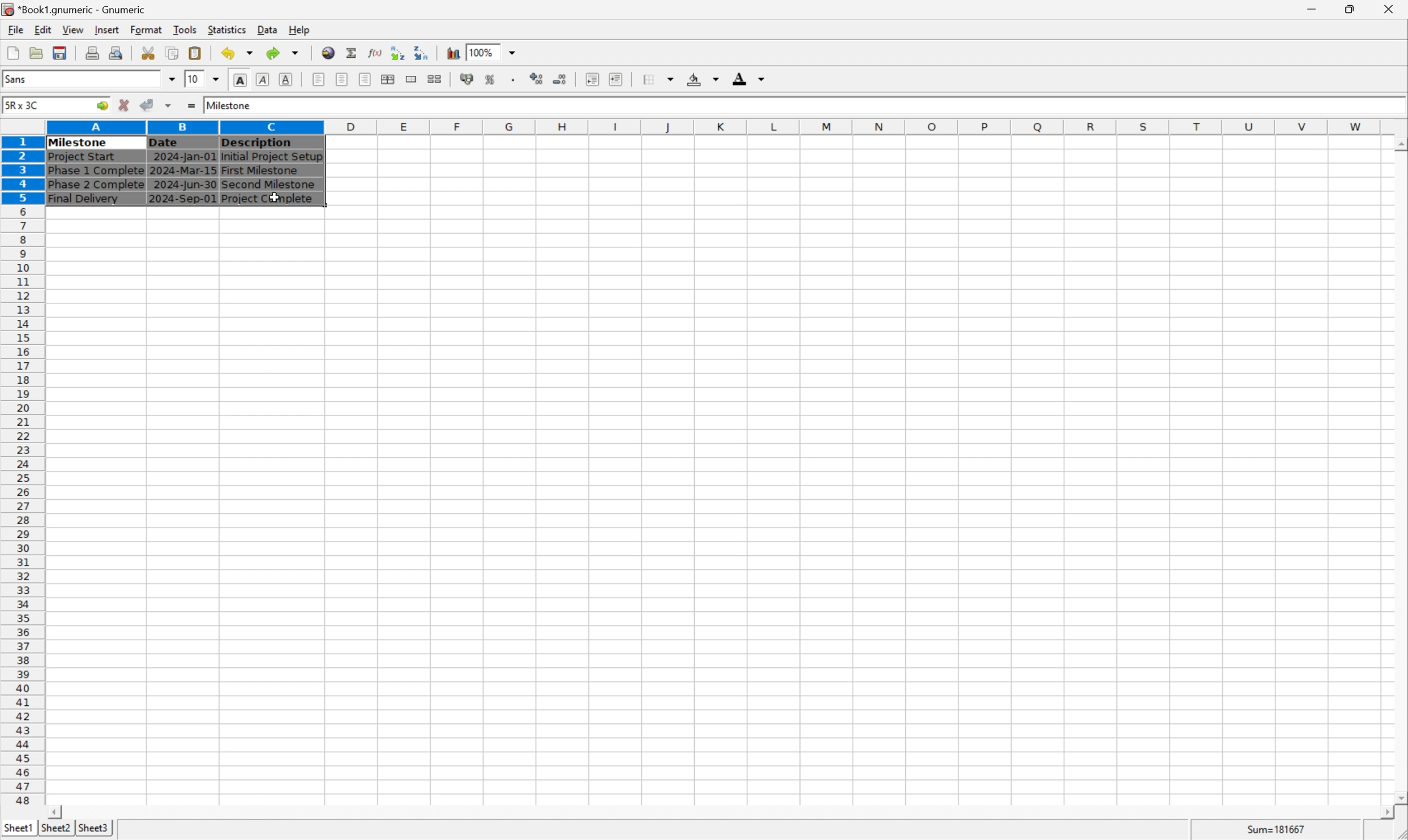 This screenshot has height=840, width=1408. I want to click on Sort the selected region in descending order based on the first column selected, so click(422, 52).